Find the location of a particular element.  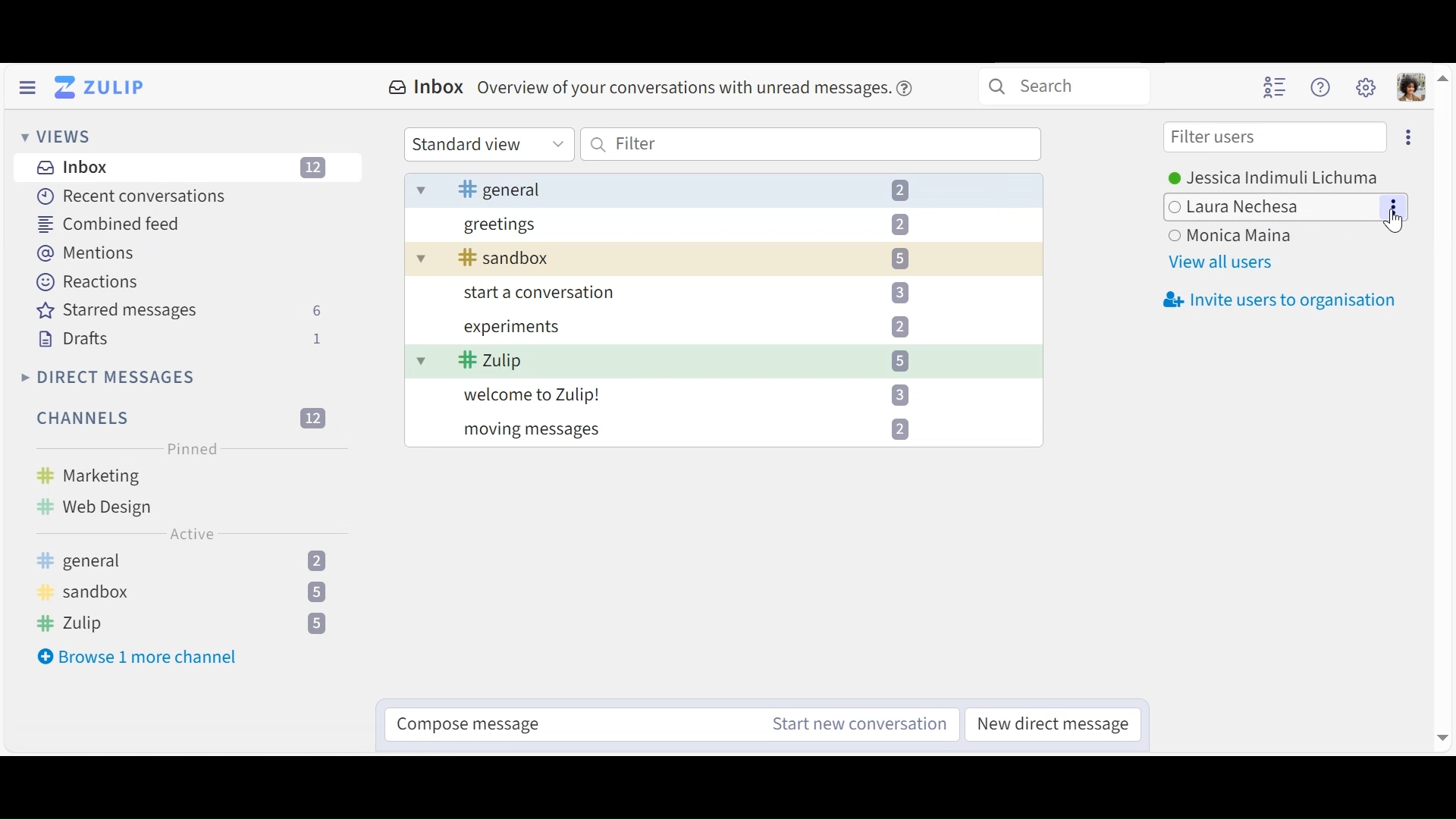

Filter users is located at coordinates (1273, 138).